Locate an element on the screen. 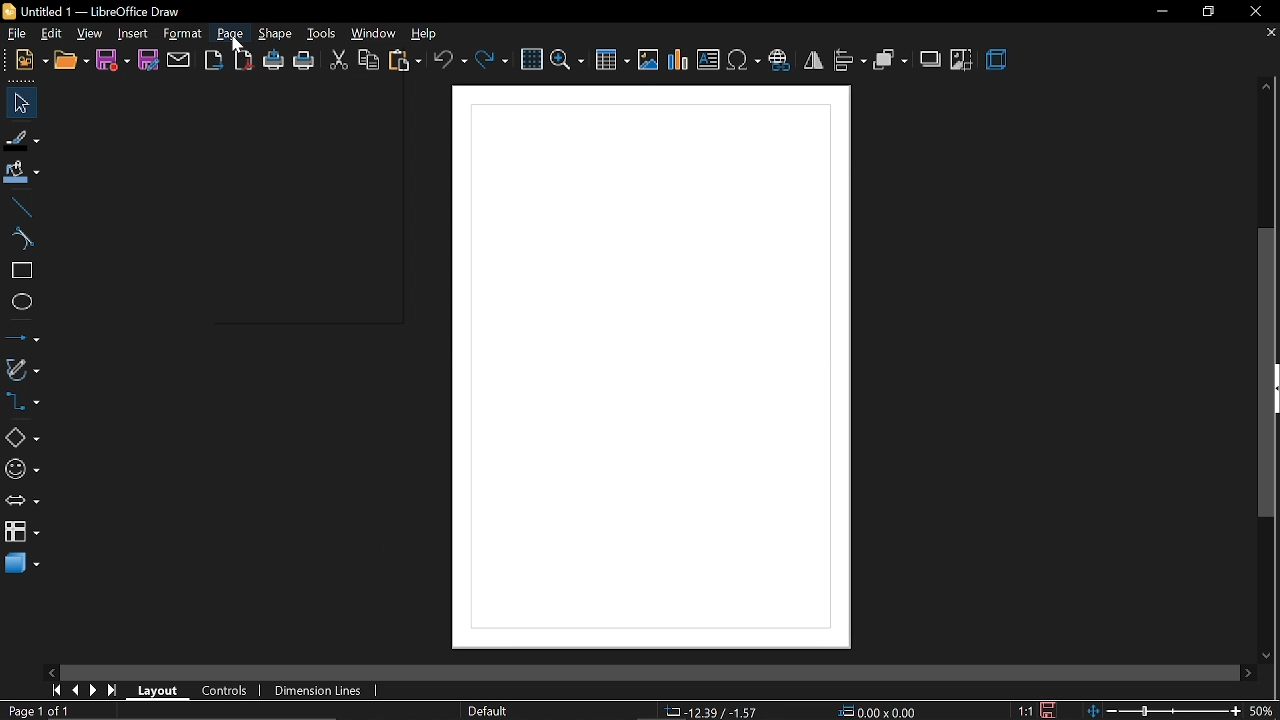  insert is located at coordinates (130, 33).